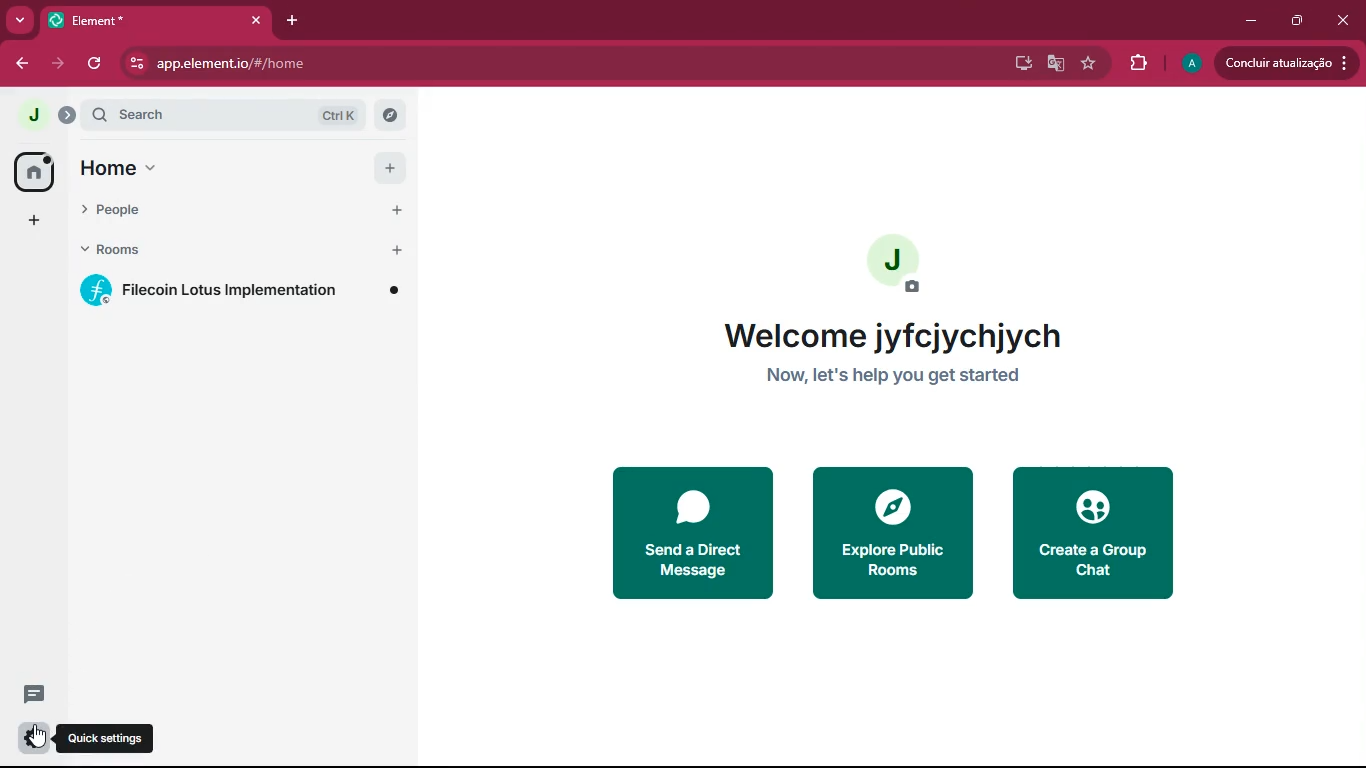 The height and width of the screenshot is (768, 1366). I want to click on favourite, so click(1087, 64).